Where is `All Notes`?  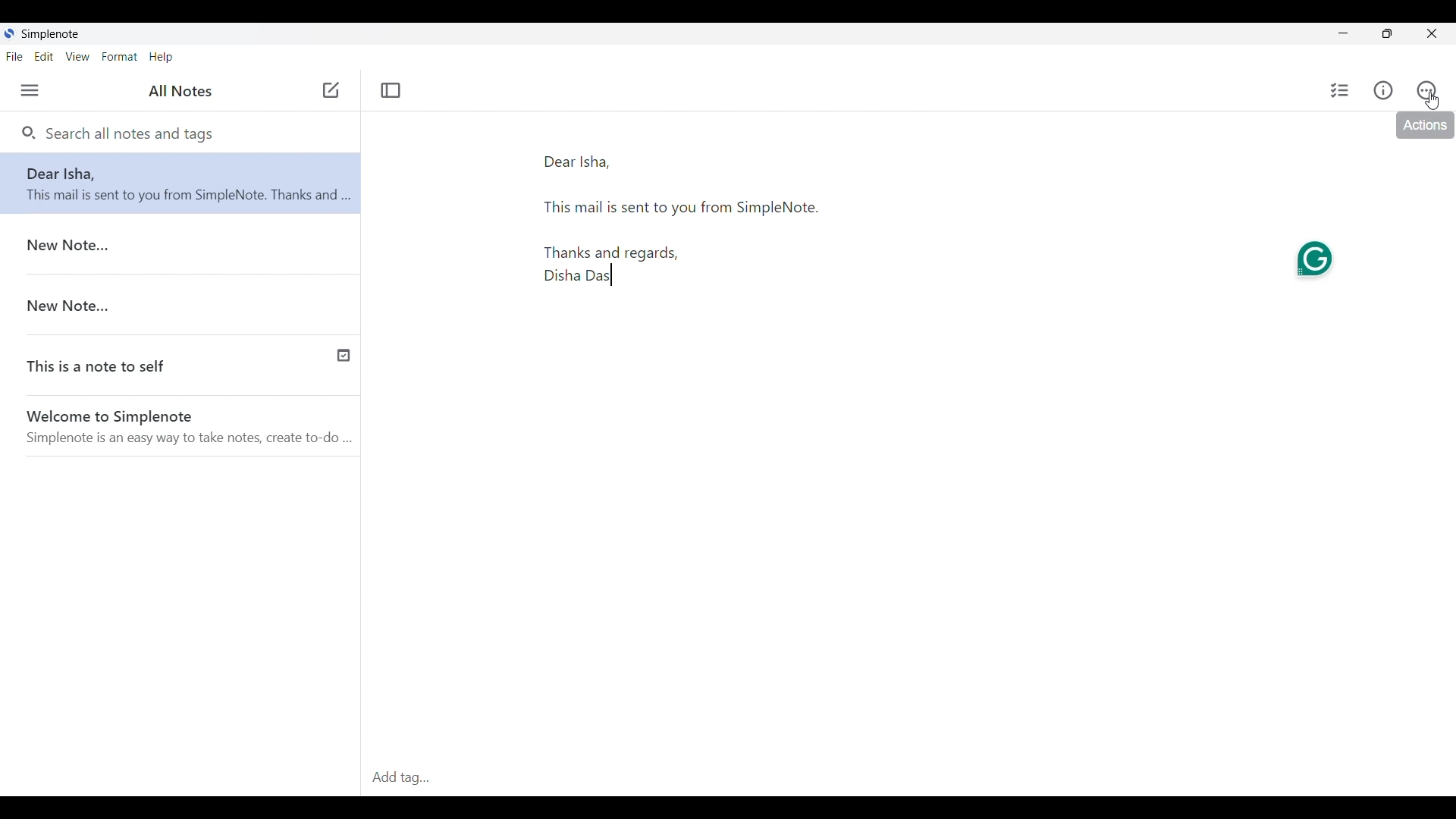
All Notes is located at coordinates (178, 92).